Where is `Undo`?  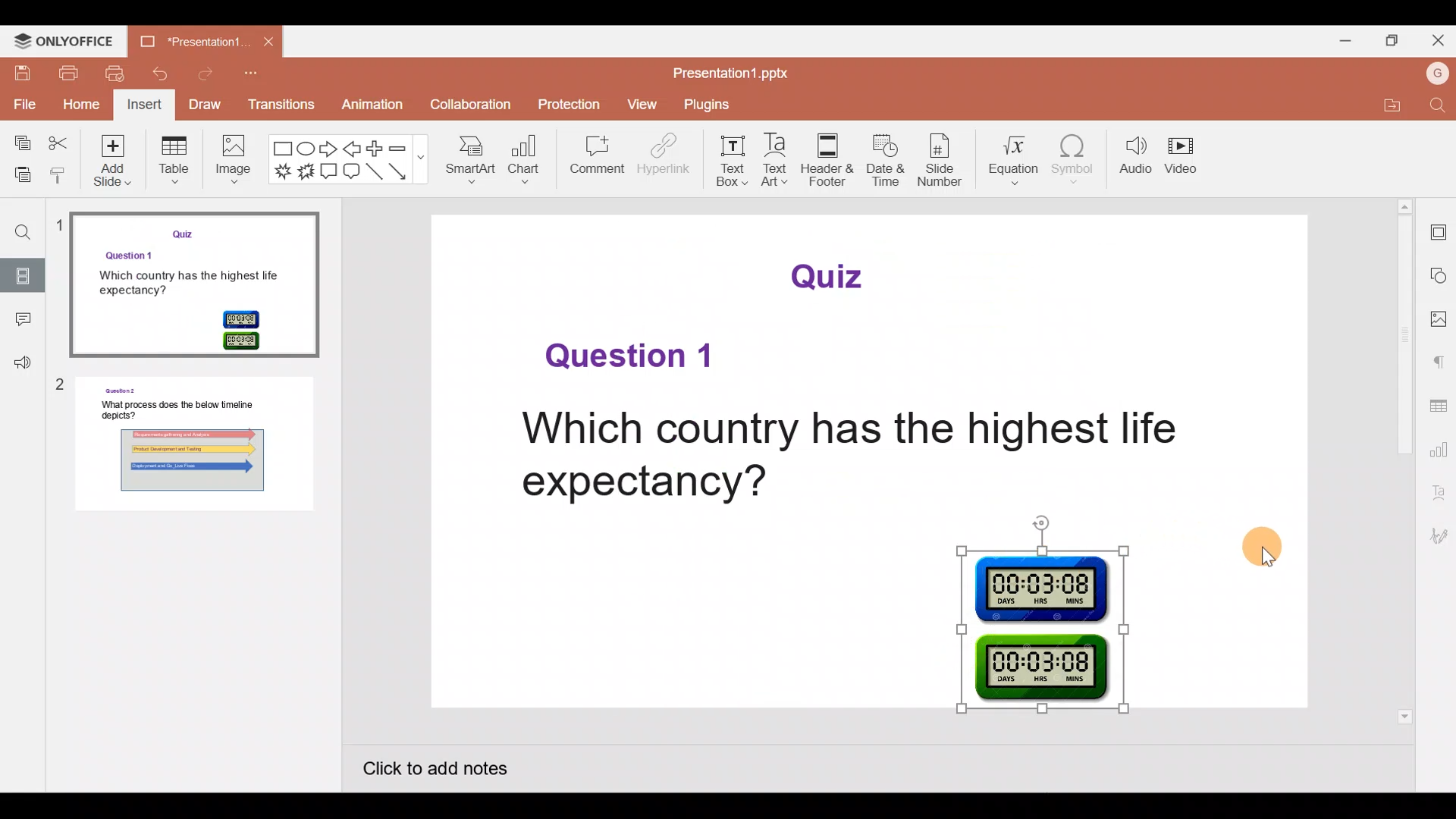
Undo is located at coordinates (167, 74).